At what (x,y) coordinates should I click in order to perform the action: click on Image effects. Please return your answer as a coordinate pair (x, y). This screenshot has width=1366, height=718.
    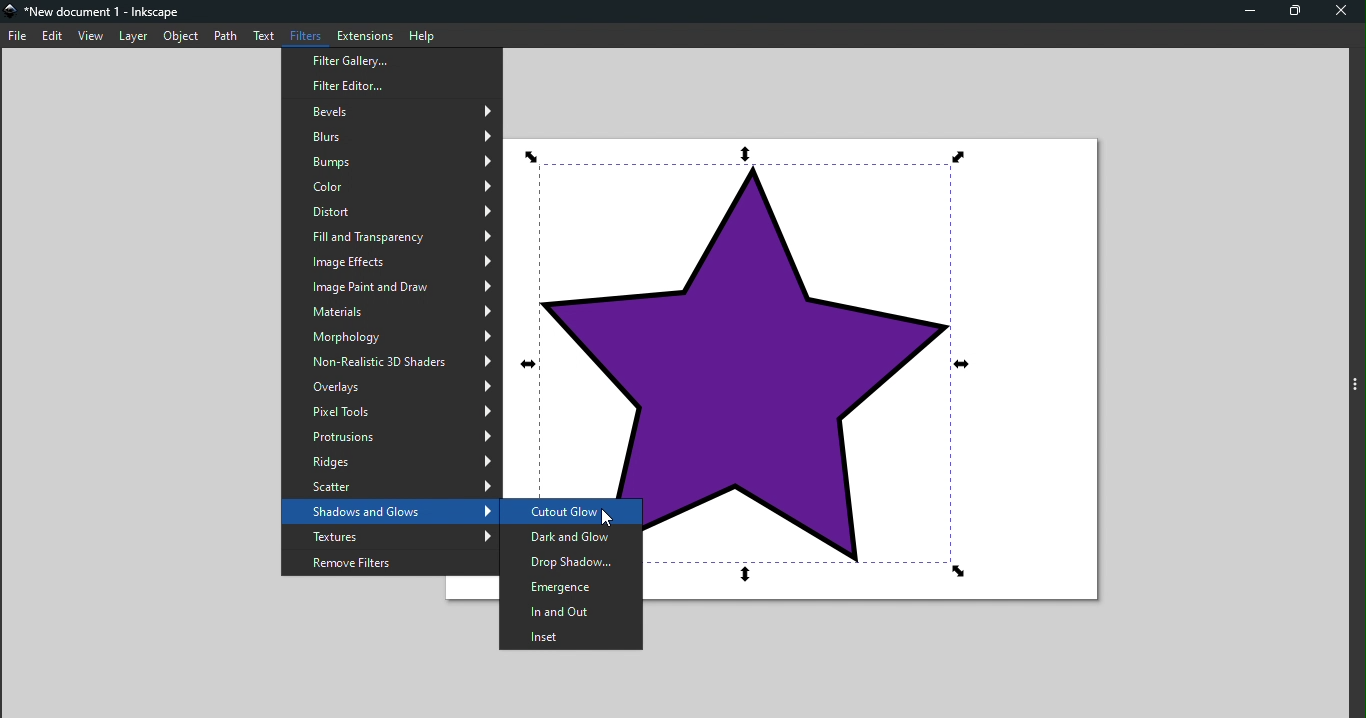
    Looking at the image, I should click on (389, 264).